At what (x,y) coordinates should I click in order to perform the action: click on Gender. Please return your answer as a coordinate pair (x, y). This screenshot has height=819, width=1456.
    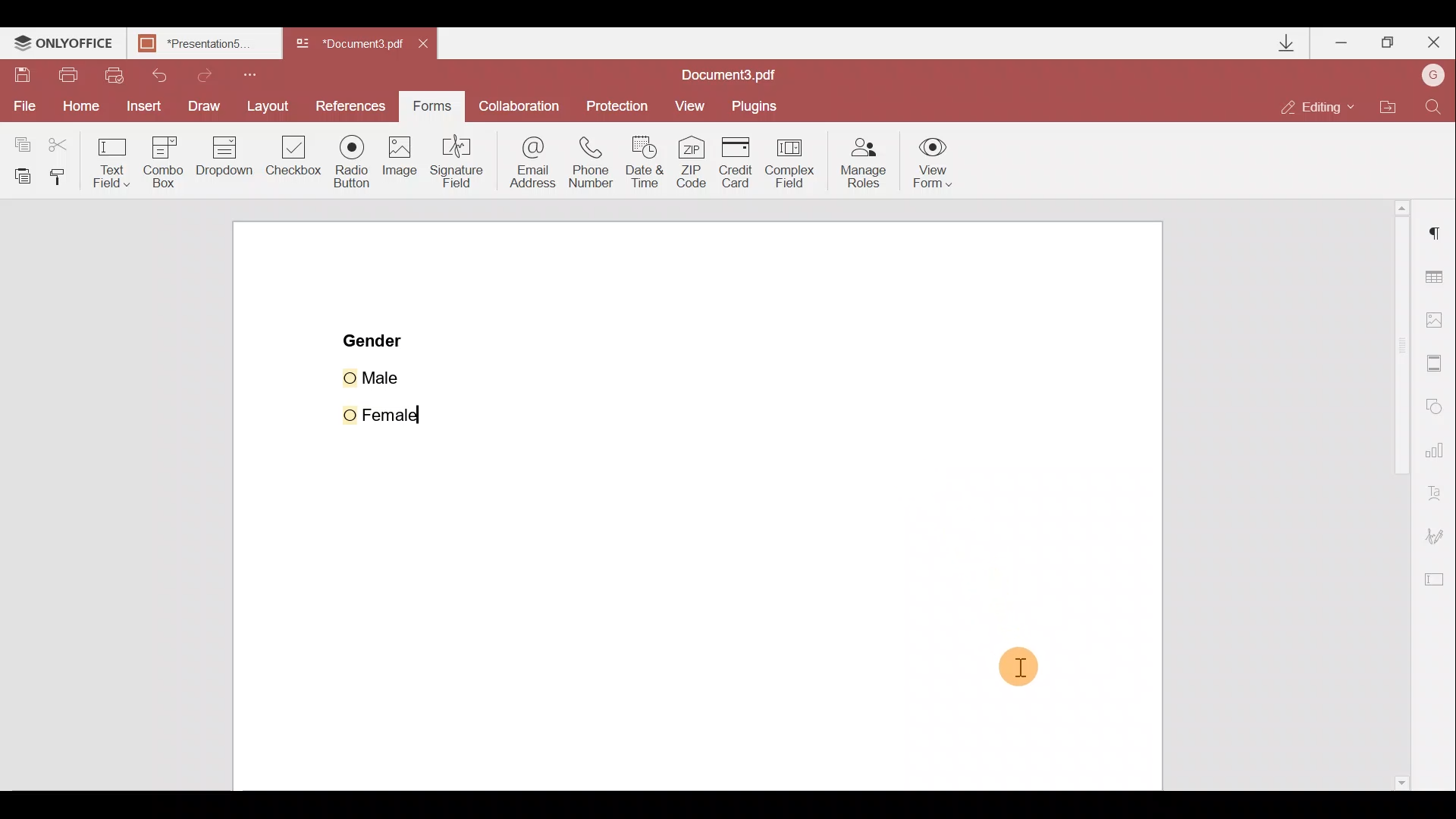
    Looking at the image, I should click on (375, 339).